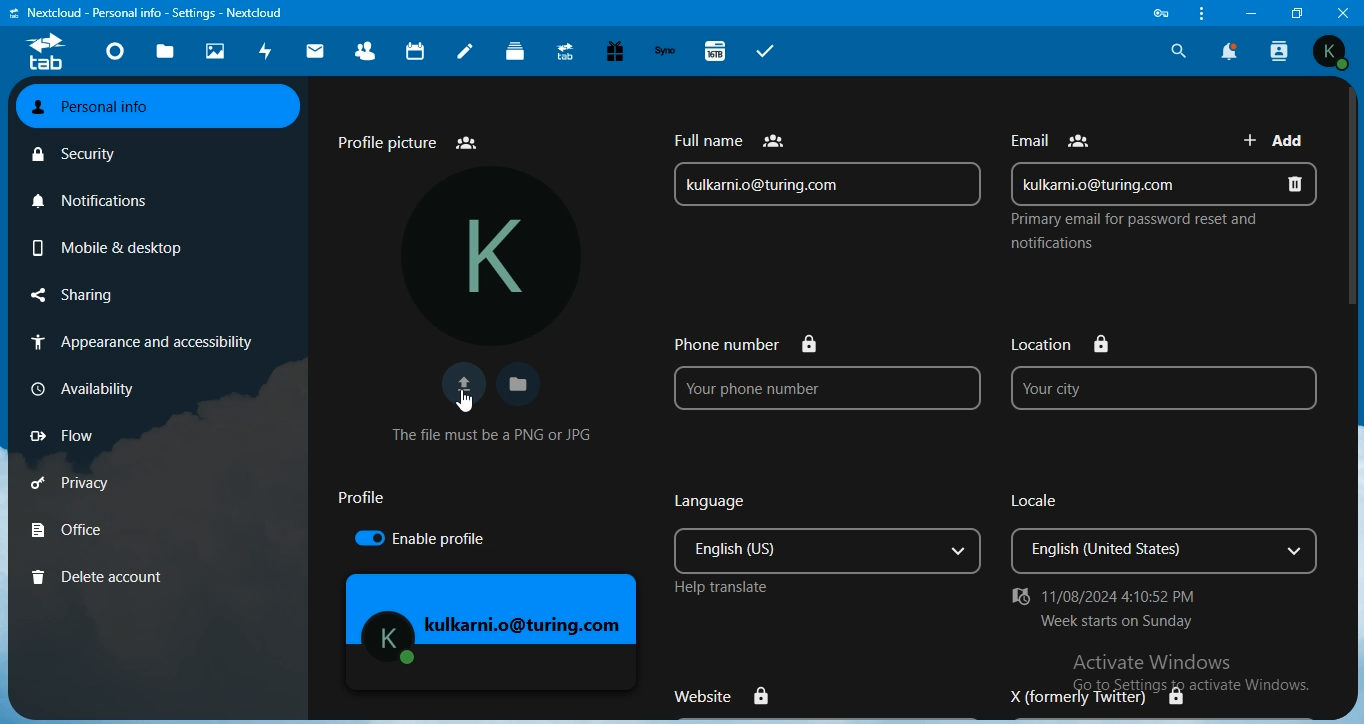  What do you see at coordinates (1279, 138) in the screenshot?
I see `add` at bounding box center [1279, 138].